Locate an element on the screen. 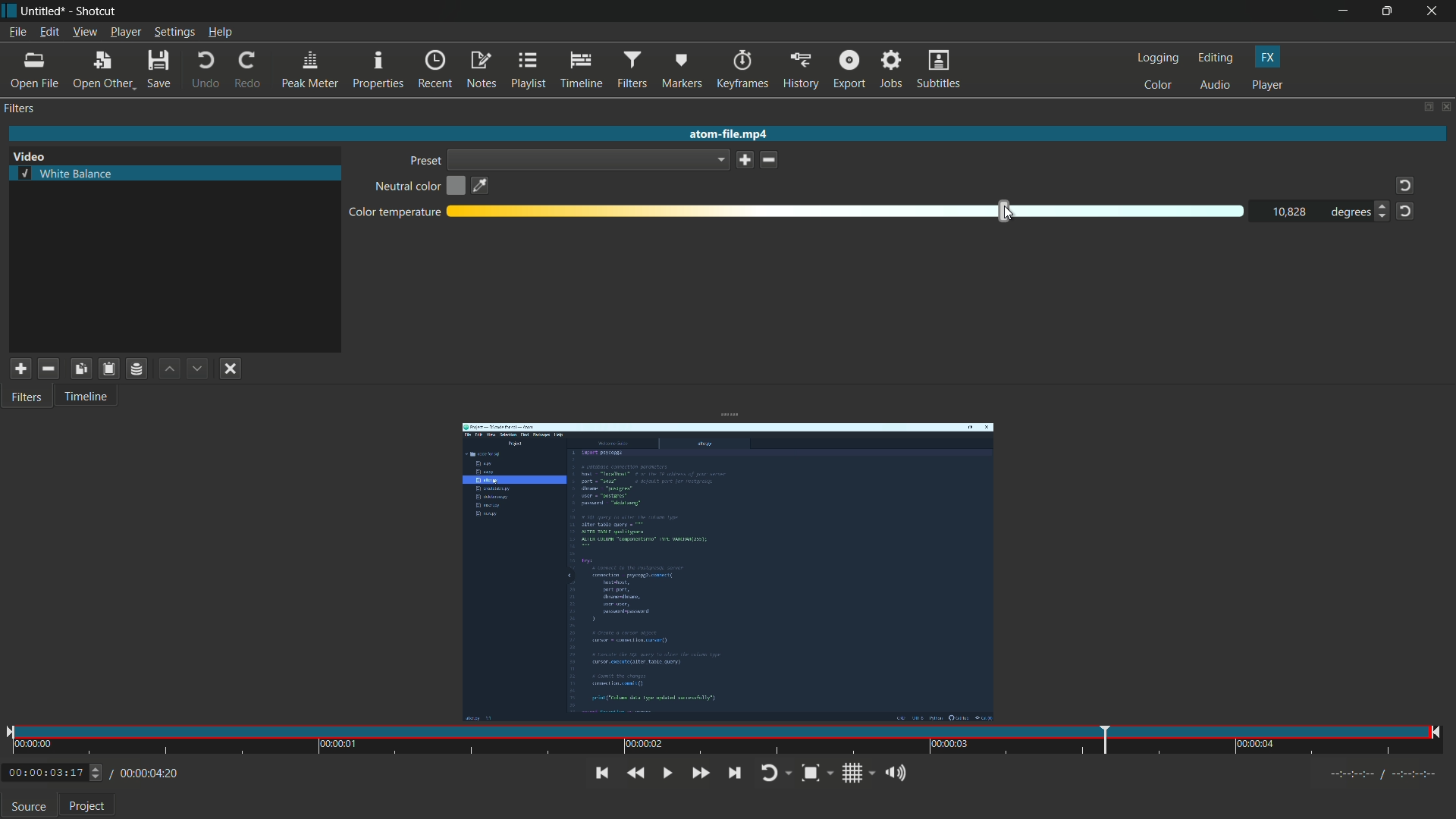 The height and width of the screenshot is (819, 1456). remove selected filter is located at coordinates (49, 369).